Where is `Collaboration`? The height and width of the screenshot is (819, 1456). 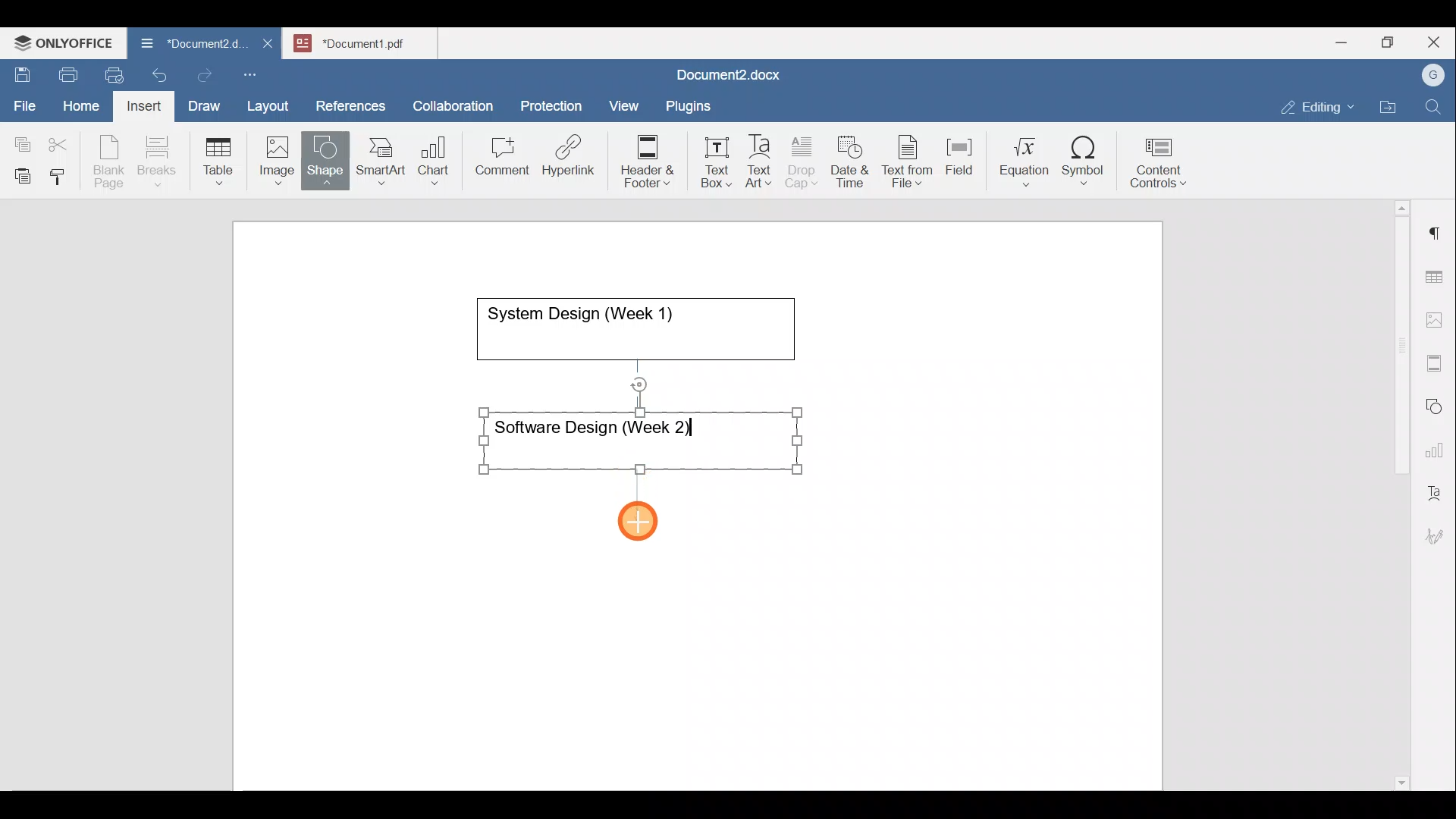
Collaboration is located at coordinates (450, 98).